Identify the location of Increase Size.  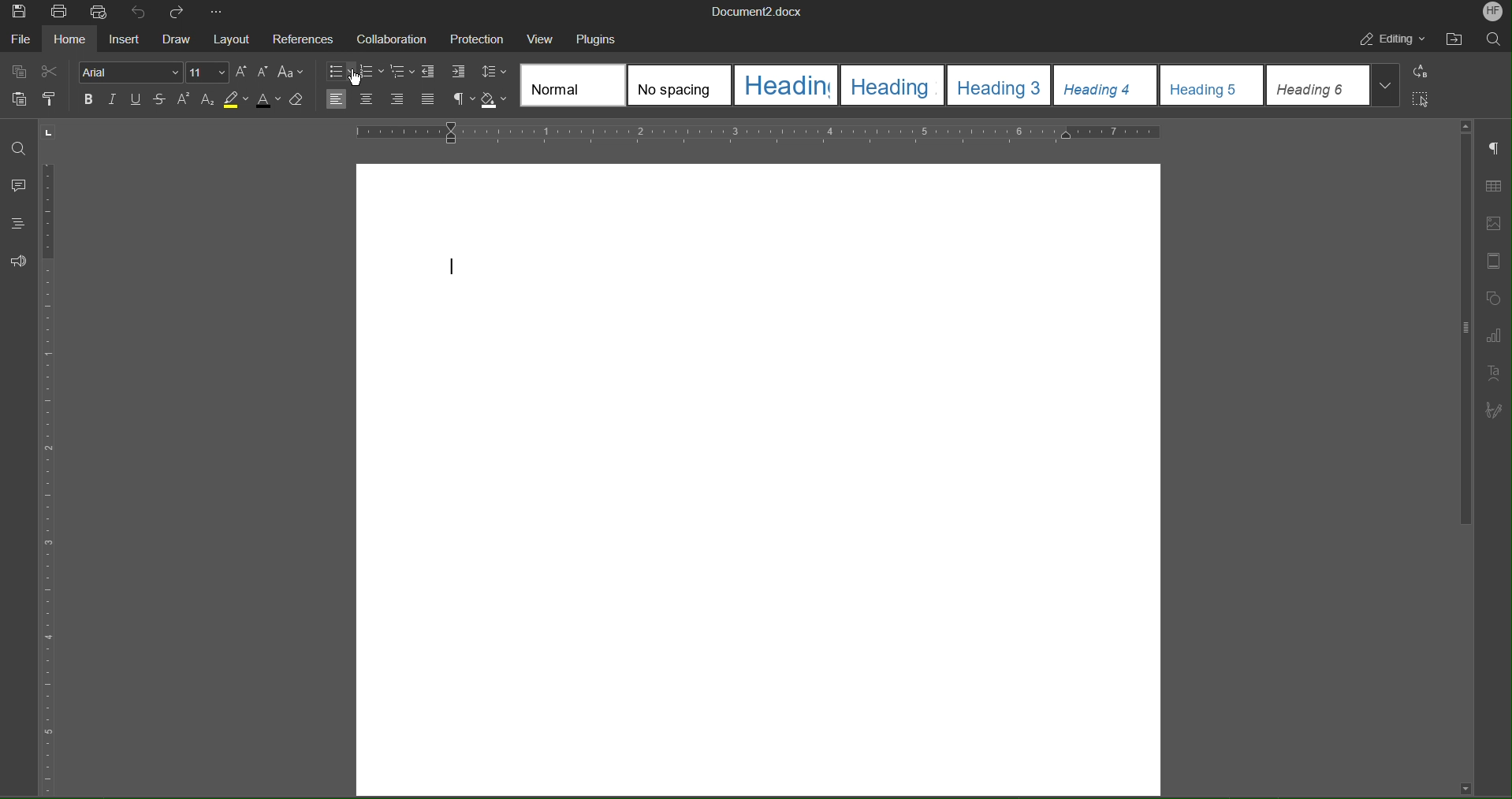
(242, 71).